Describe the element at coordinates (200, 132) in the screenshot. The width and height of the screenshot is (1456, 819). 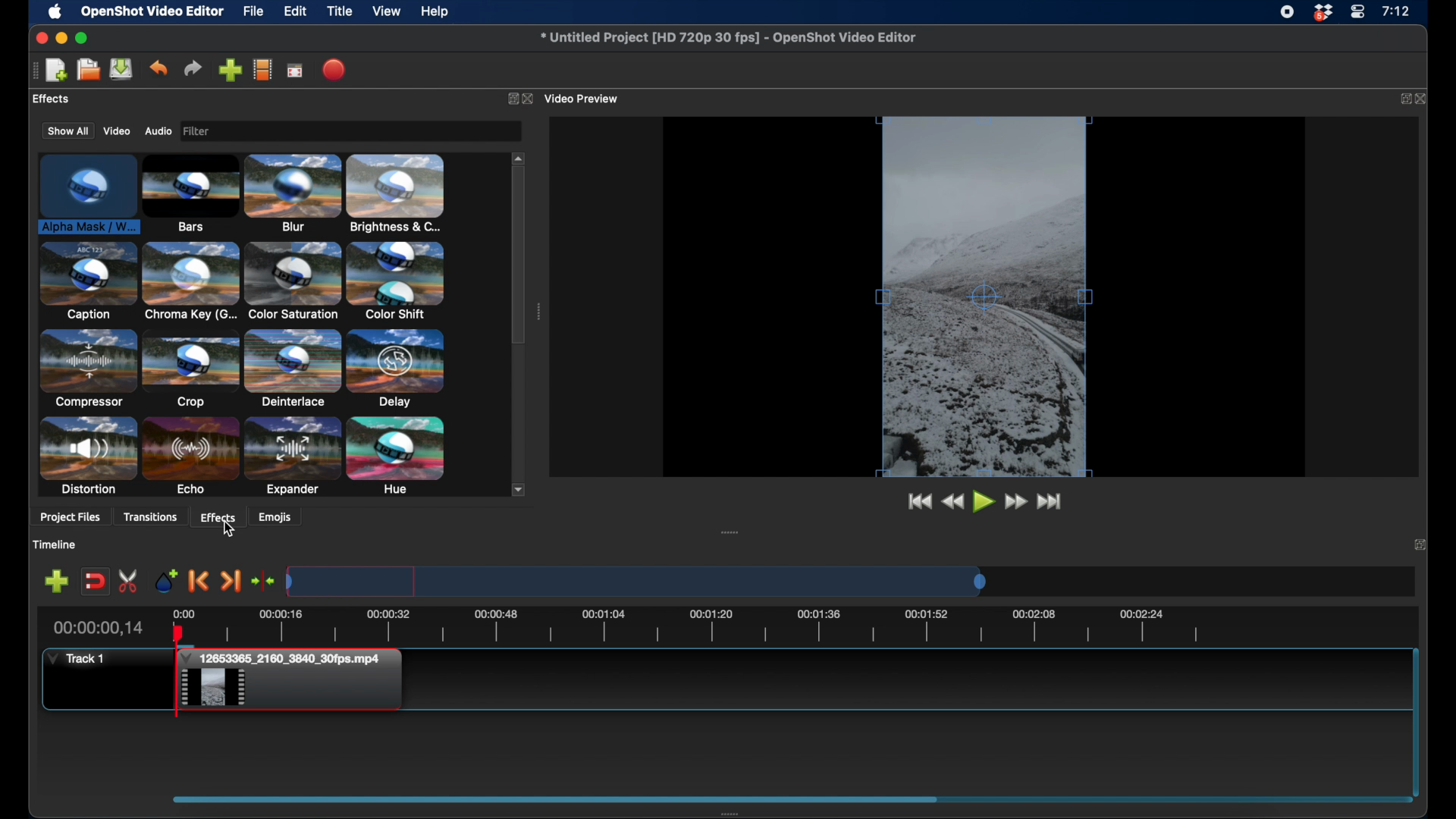
I see `image` at that location.